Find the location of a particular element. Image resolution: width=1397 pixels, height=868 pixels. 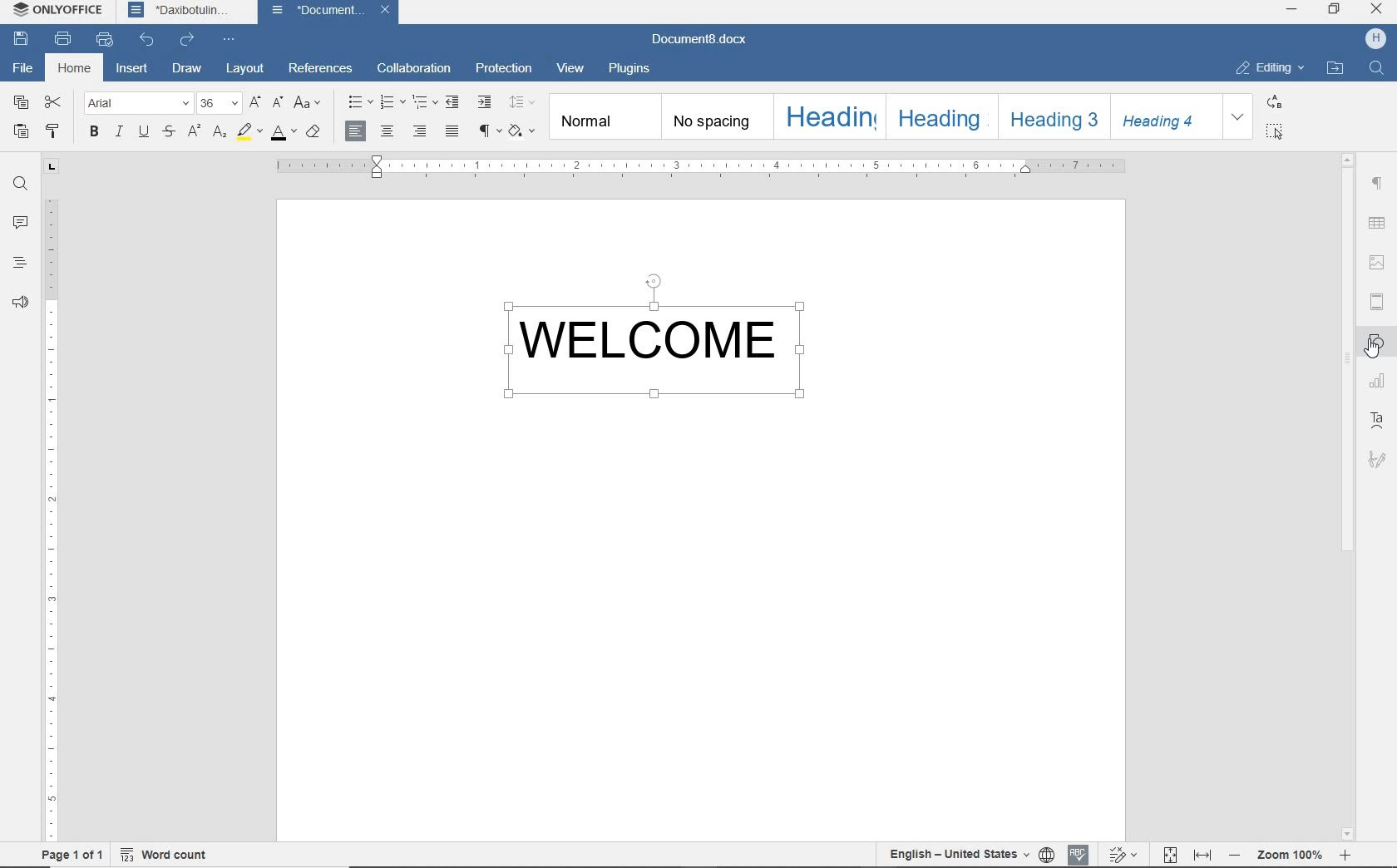

HEADING 3 is located at coordinates (1050, 116).